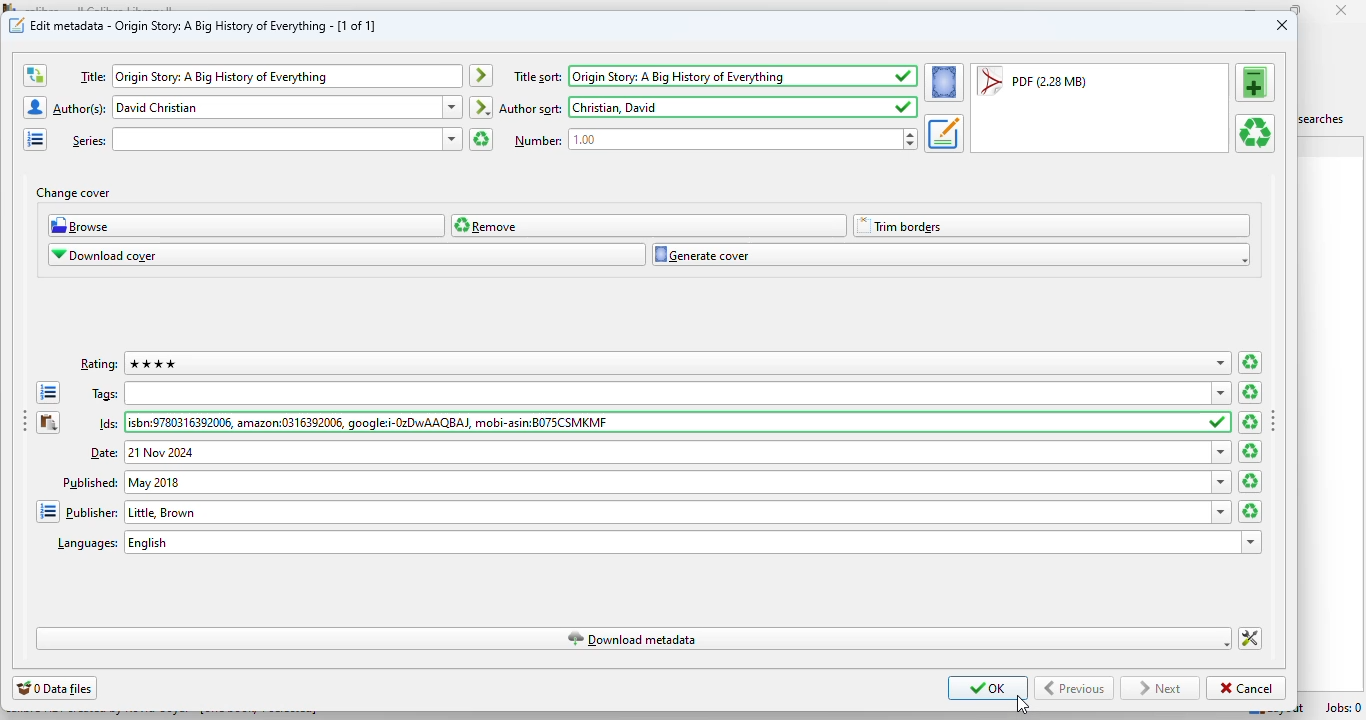 This screenshot has height=720, width=1366. I want to click on clear all tags, so click(1252, 391).